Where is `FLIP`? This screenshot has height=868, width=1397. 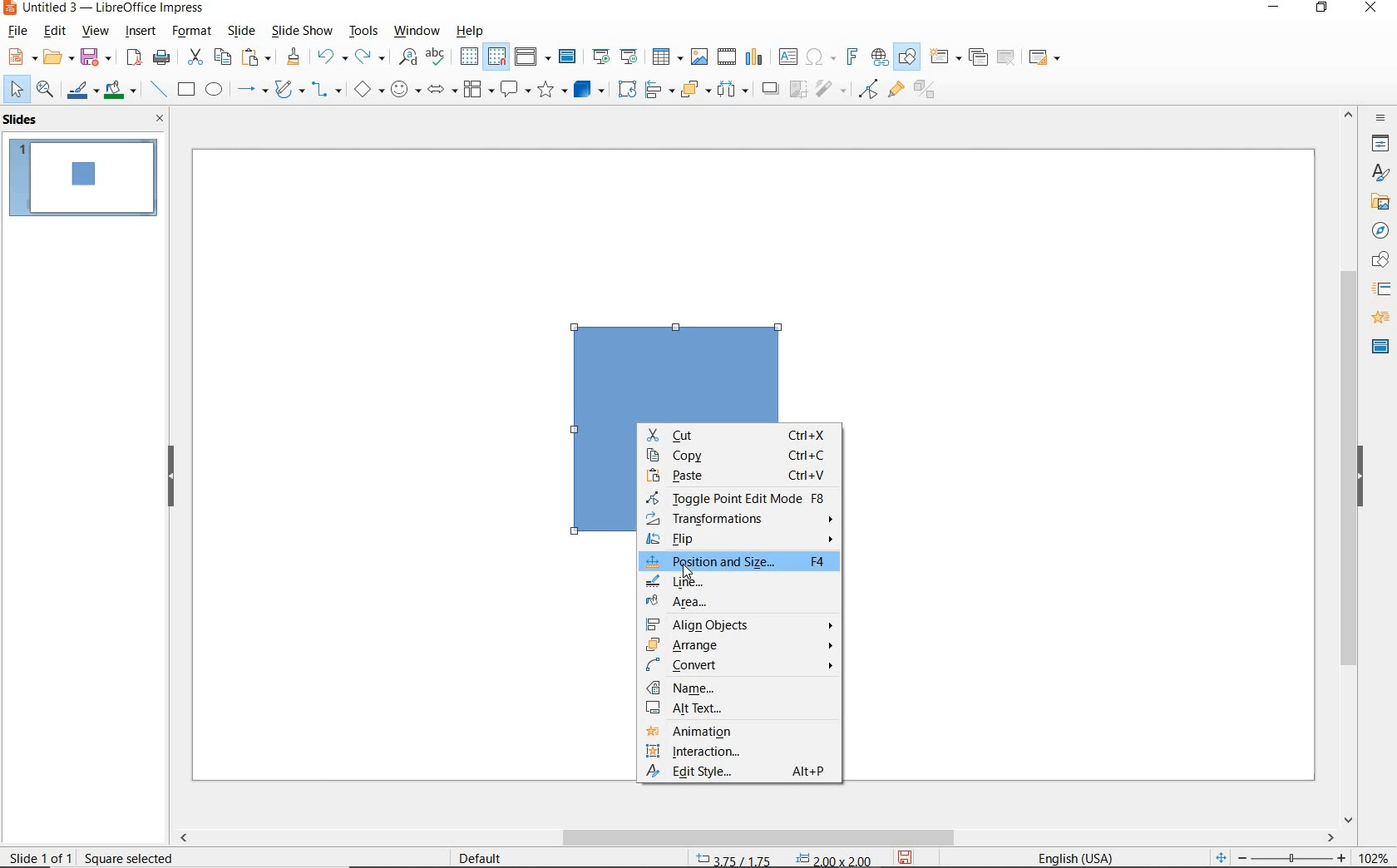
FLIP is located at coordinates (742, 540).